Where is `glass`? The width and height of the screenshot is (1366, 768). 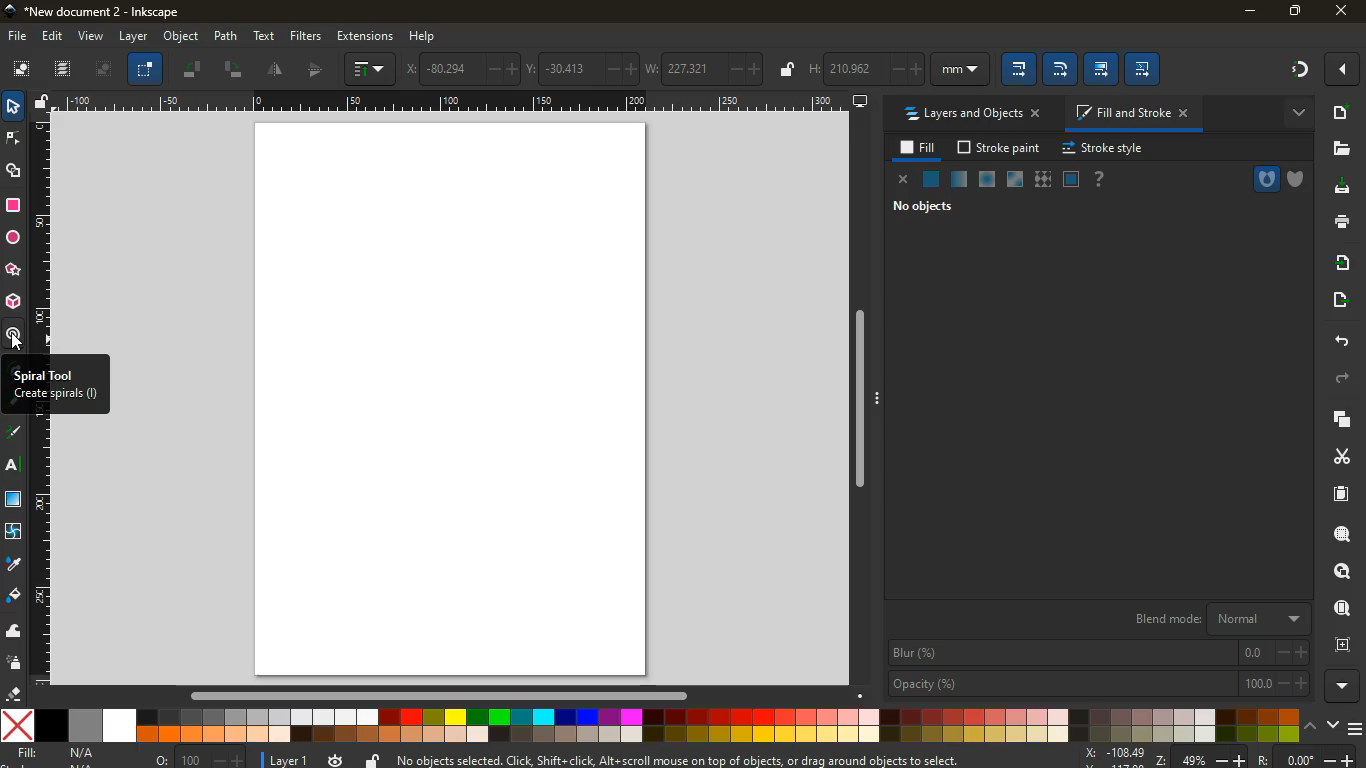
glass is located at coordinates (13, 500).